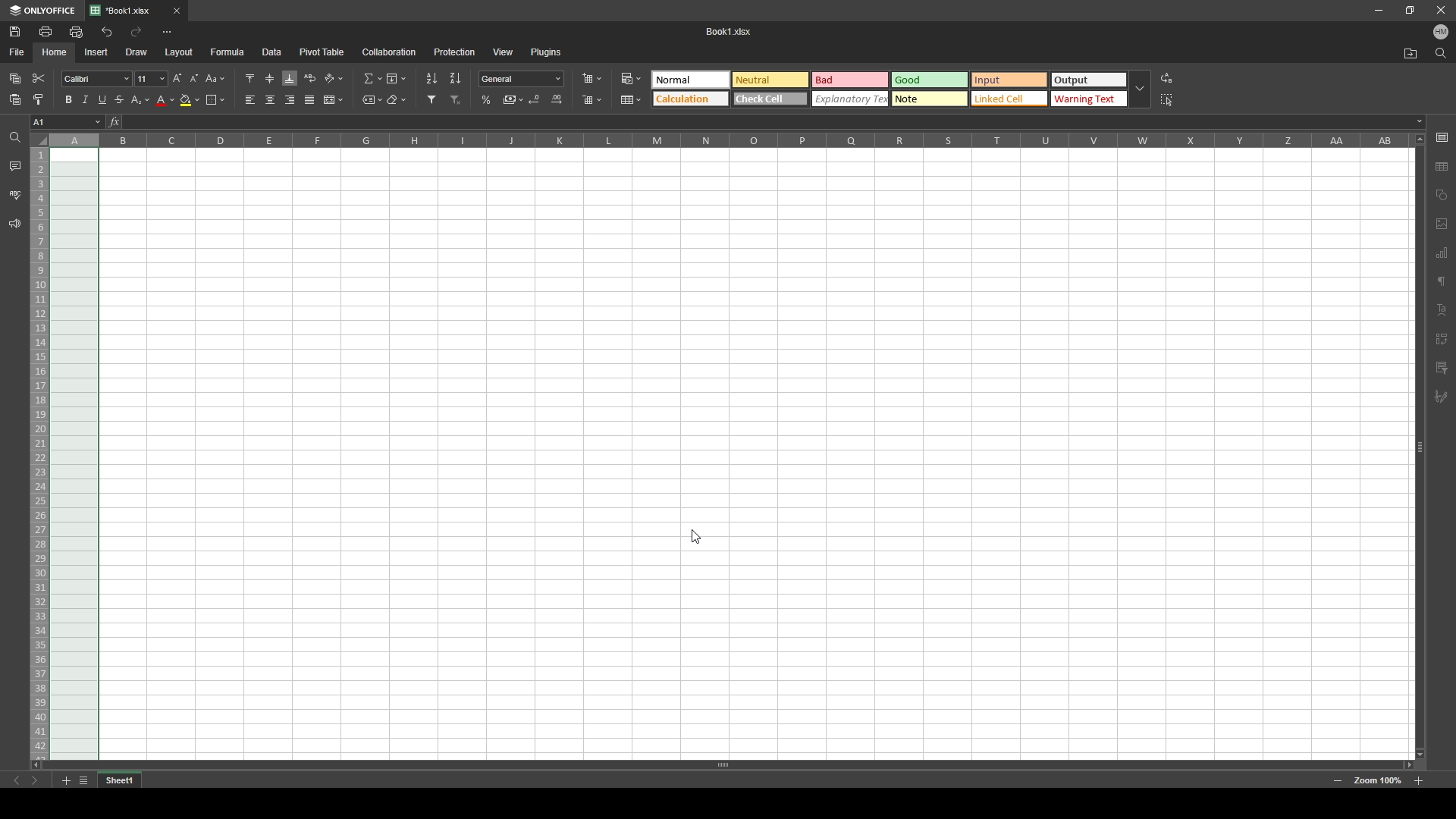 The height and width of the screenshot is (819, 1456). Describe the element at coordinates (1419, 446) in the screenshot. I see `scroll bar` at that location.